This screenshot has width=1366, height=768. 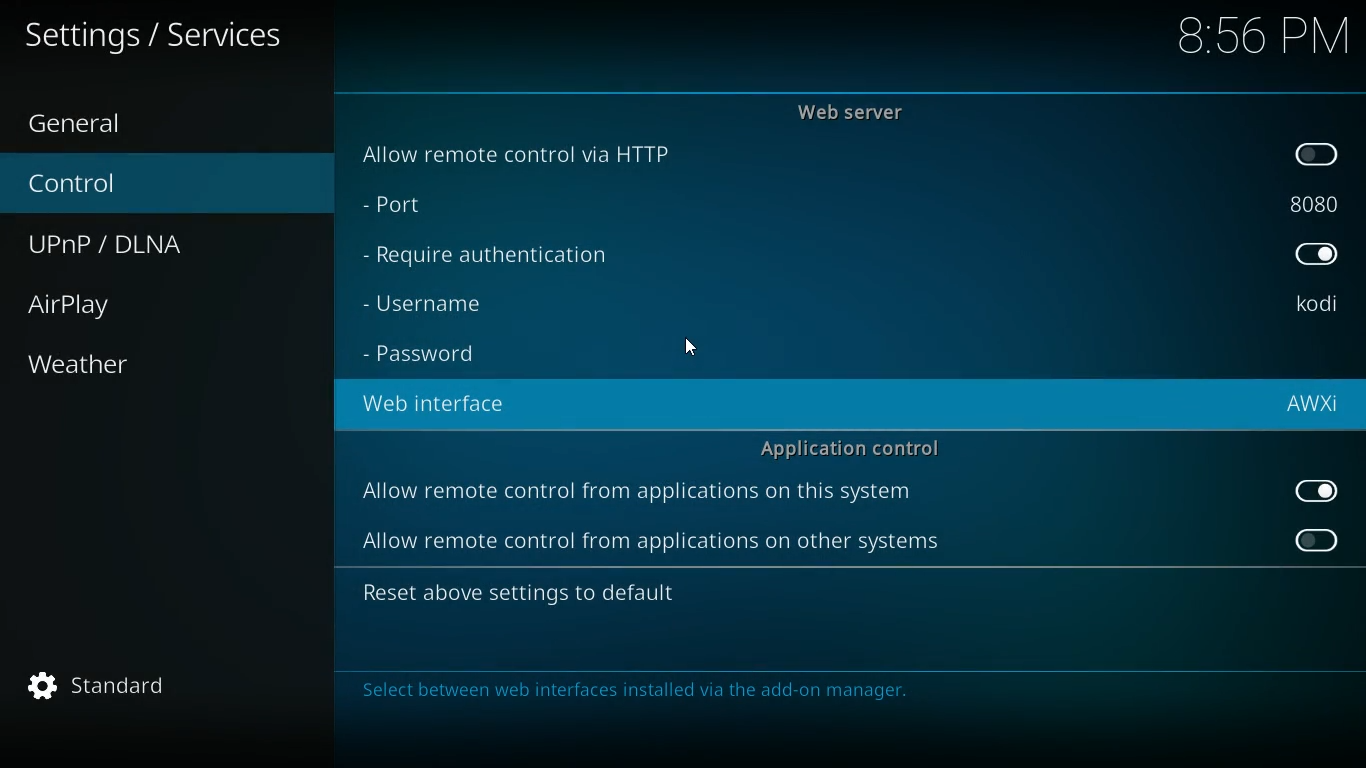 I want to click on AirPlay, so click(x=93, y=305).